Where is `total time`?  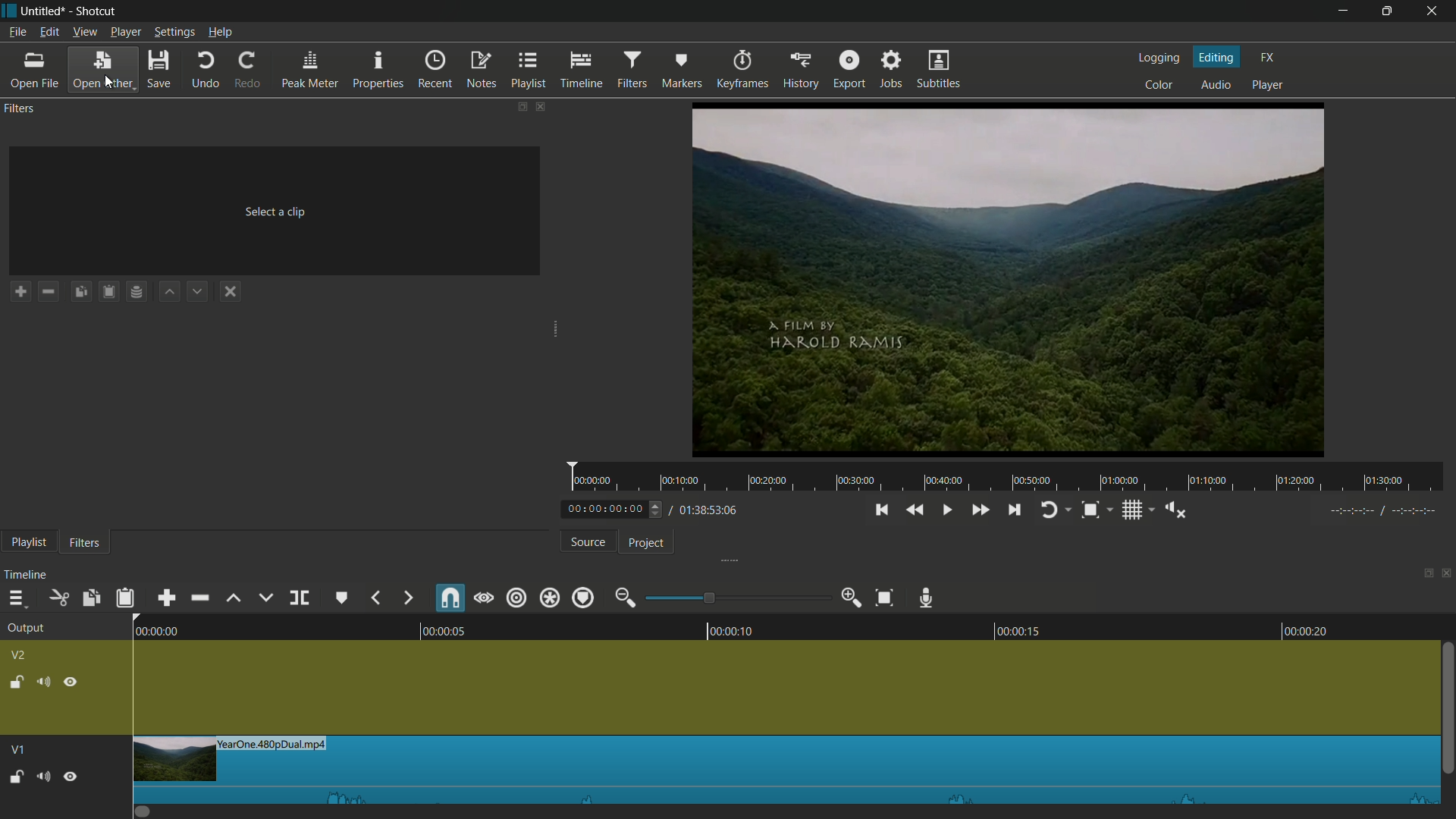 total time is located at coordinates (707, 510).